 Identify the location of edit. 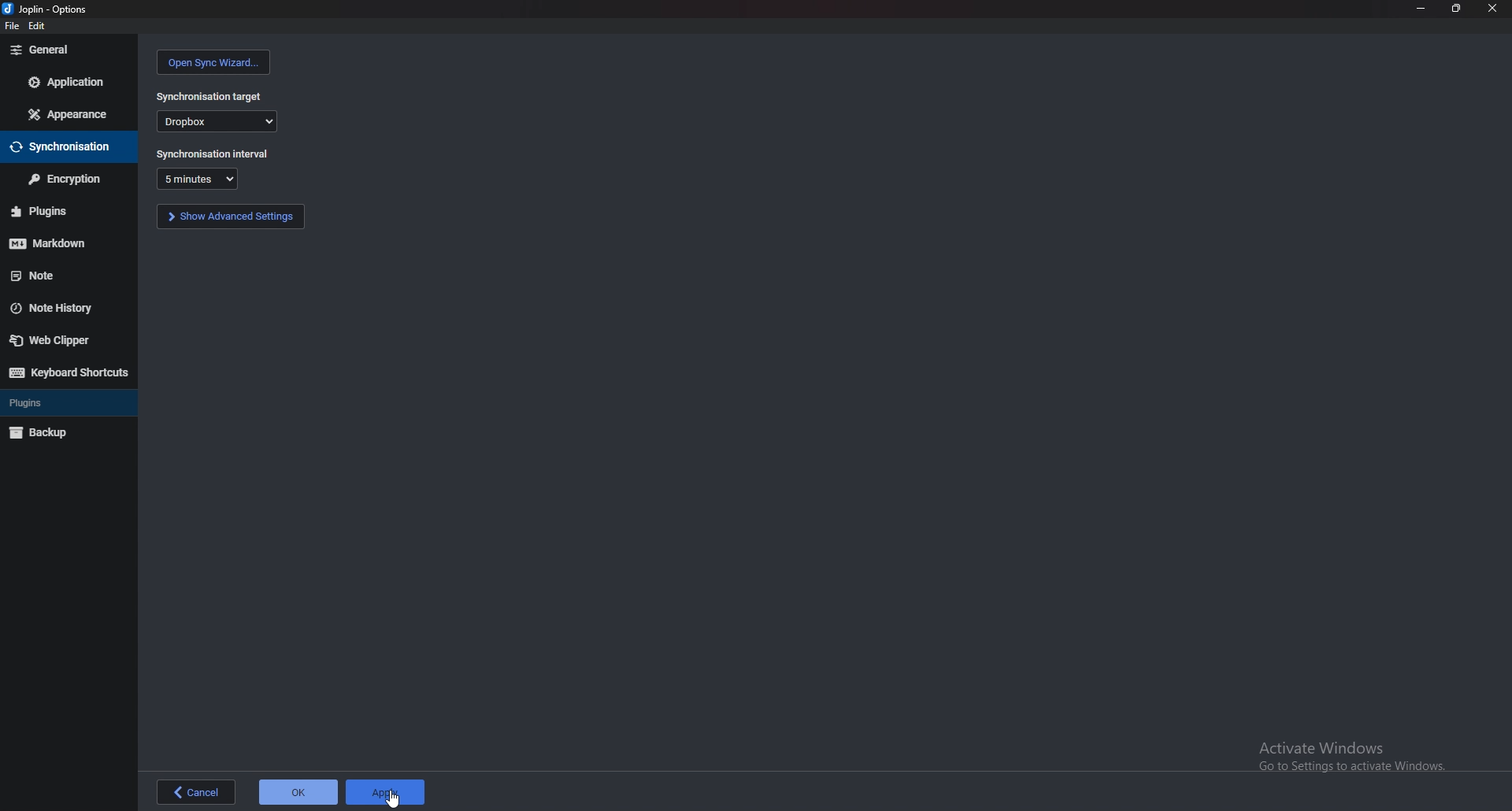
(40, 25).